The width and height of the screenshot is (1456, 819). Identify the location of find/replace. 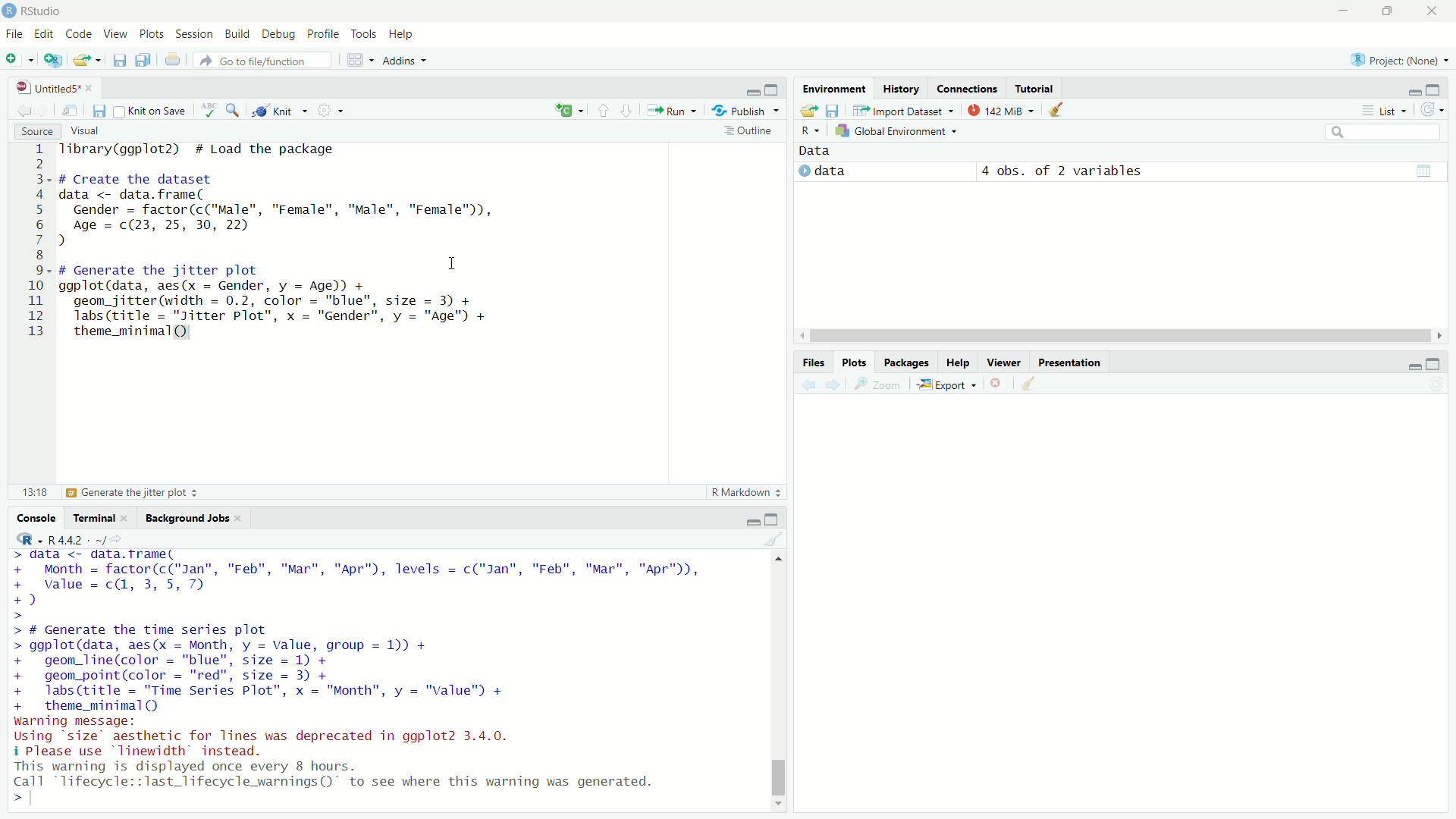
(234, 110).